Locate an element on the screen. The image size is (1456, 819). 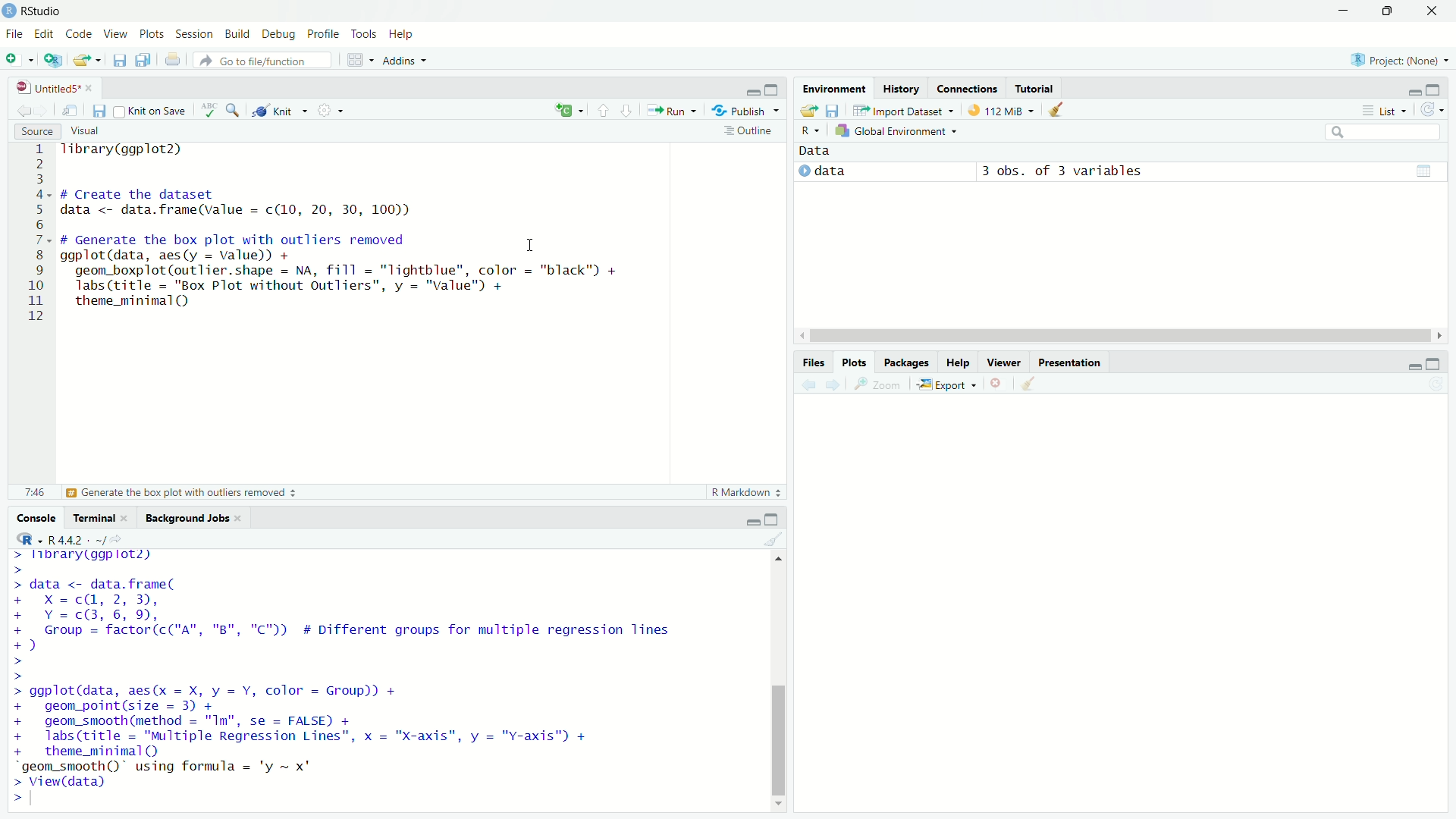
RStudio is located at coordinates (36, 10).